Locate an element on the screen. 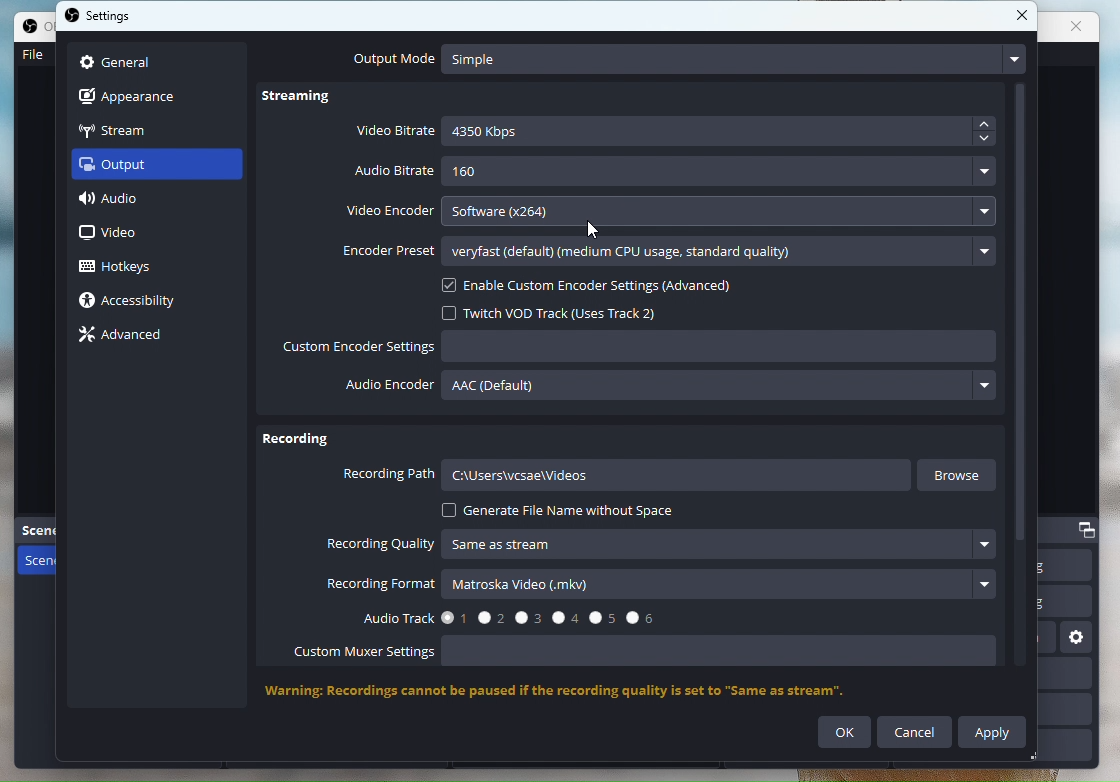 The image size is (1120, 782). Recording quality is located at coordinates (666, 545).